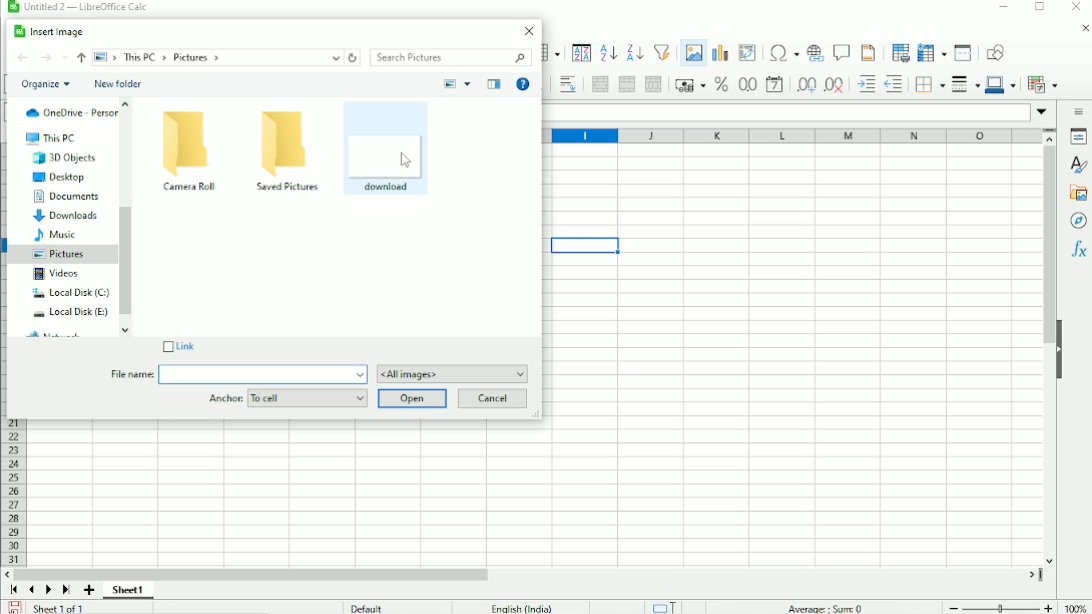 This screenshot has height=614, width=1092. What do you see at coordinates (869, 52) in the screenshot?
I see `Headers and footers` at bounding box center [869, 52].